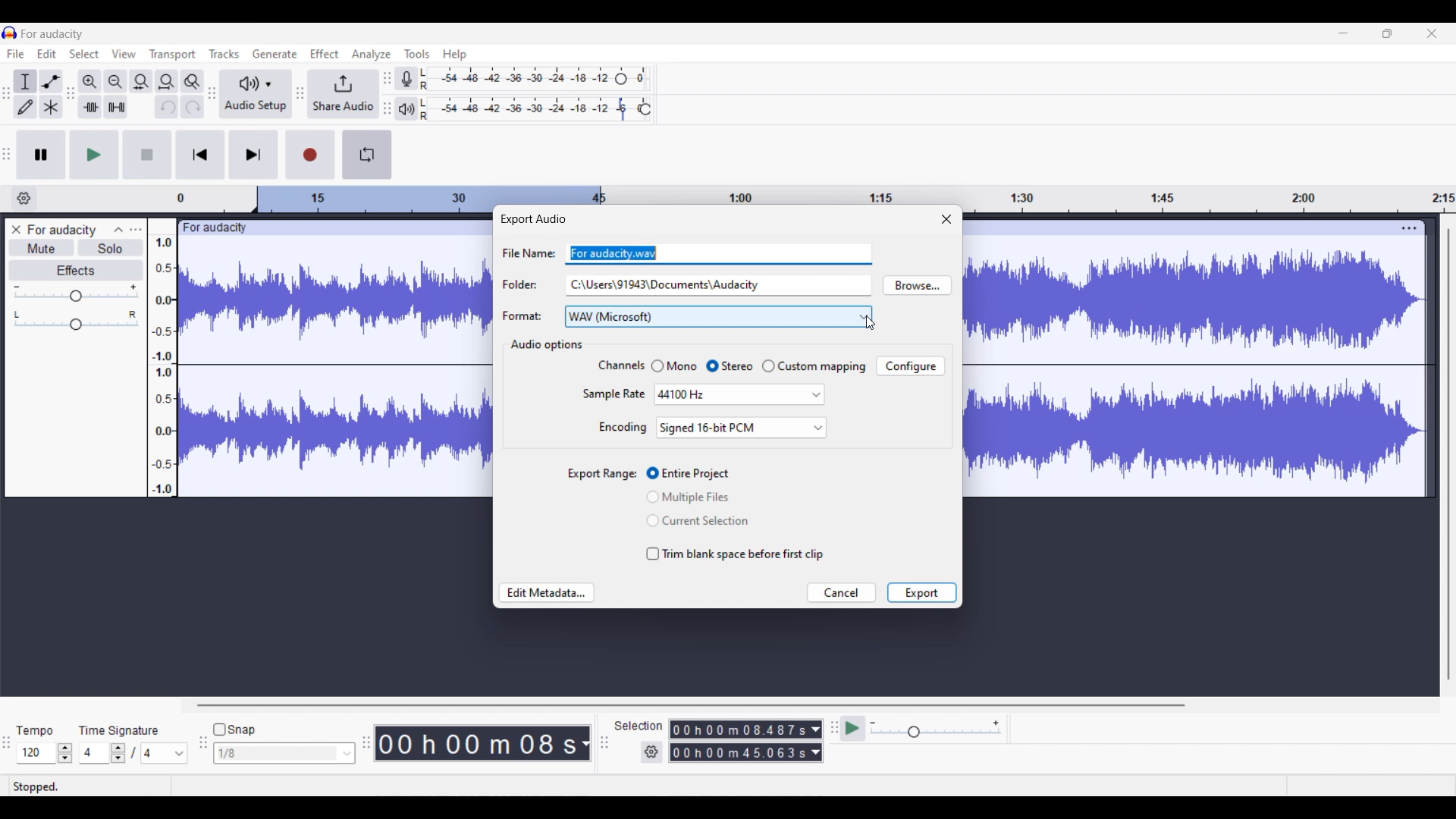 The width and height of the screenshot is (1456, 819). Describe the element at coordinates (25, 107) in the screenshot. I see `Draw tool` at that location.